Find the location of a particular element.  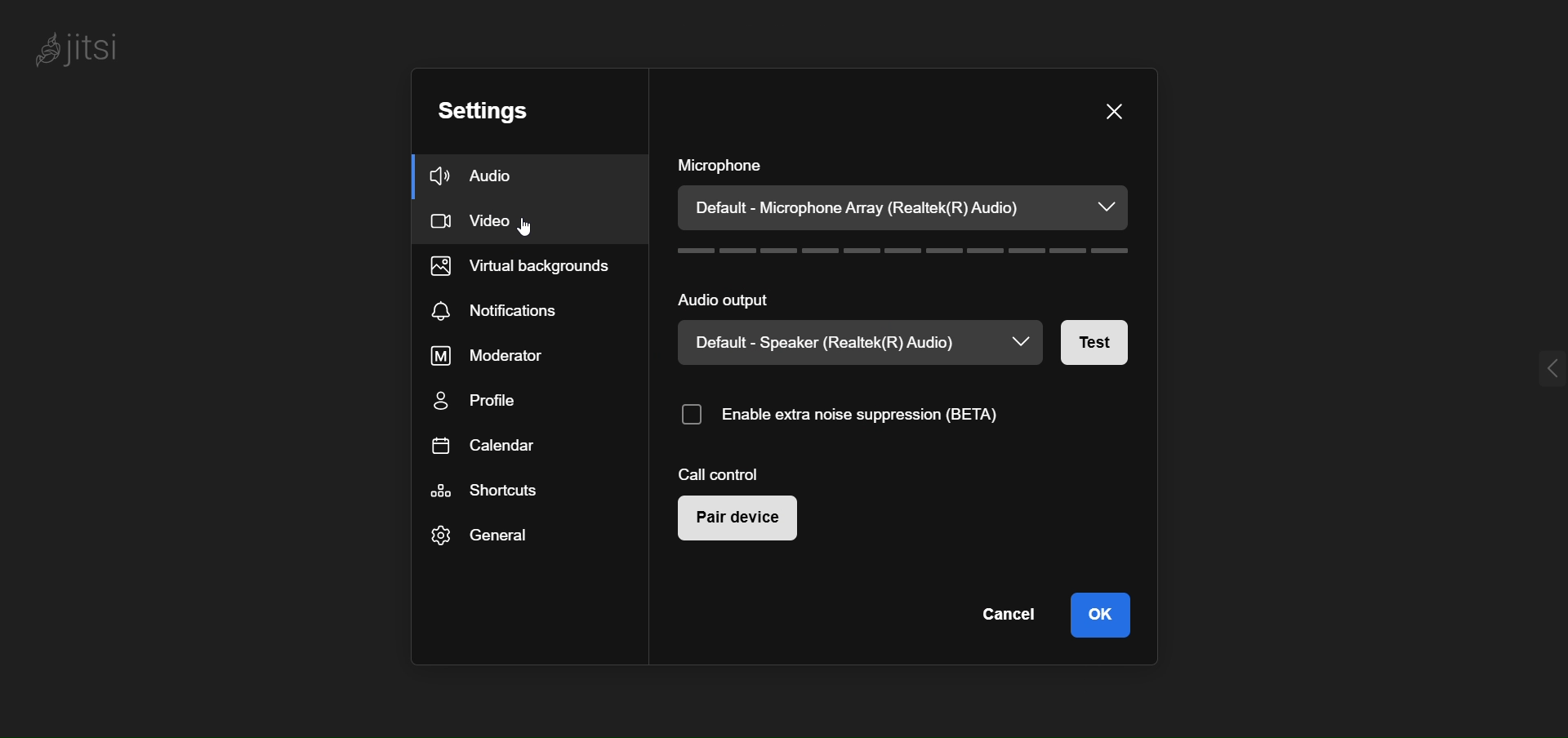

dropdown is located at coordinates (1108, 206).